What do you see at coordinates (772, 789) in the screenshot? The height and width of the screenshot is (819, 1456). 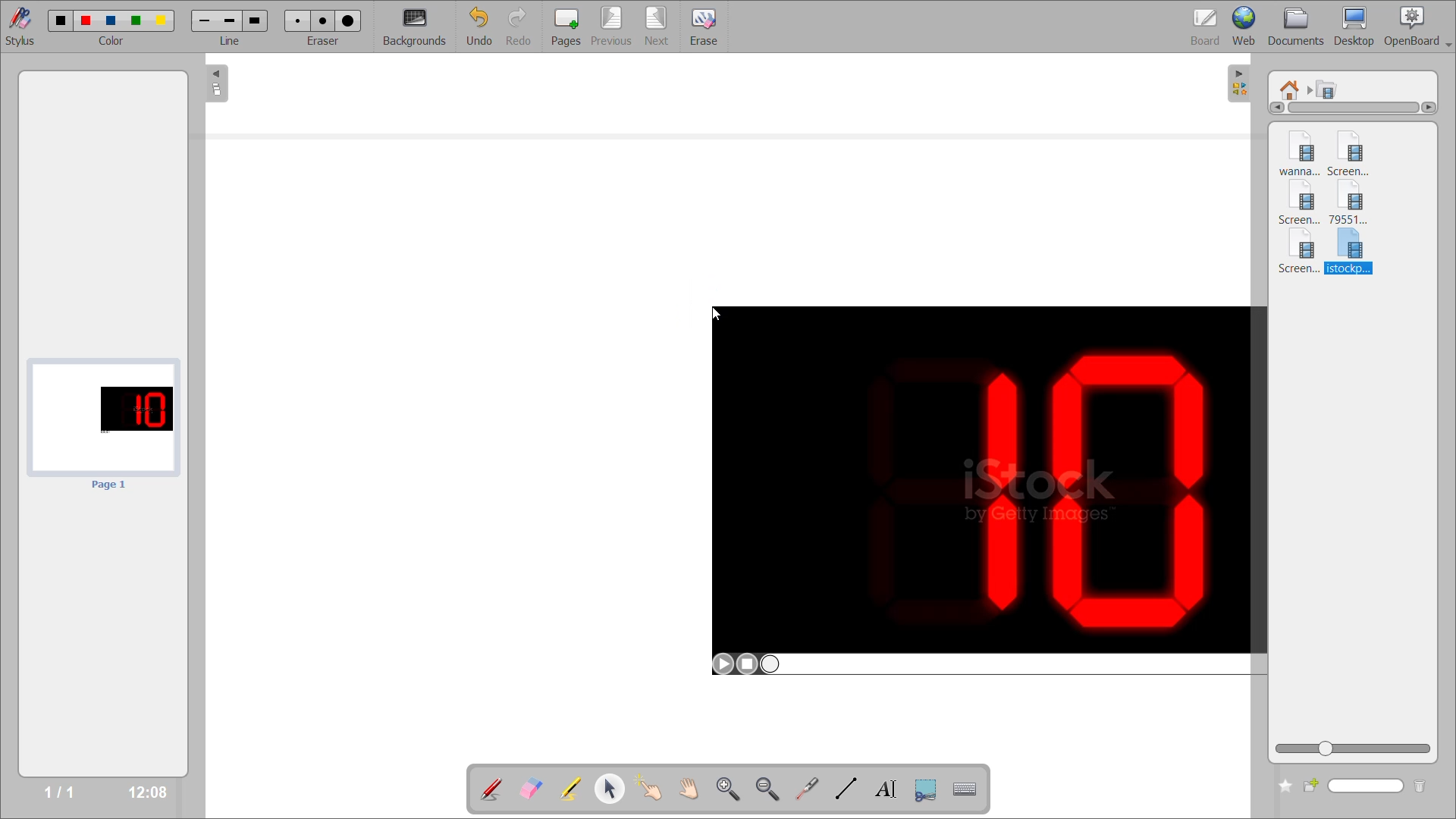 I see `zoom out` at bounding box center [772, 789].